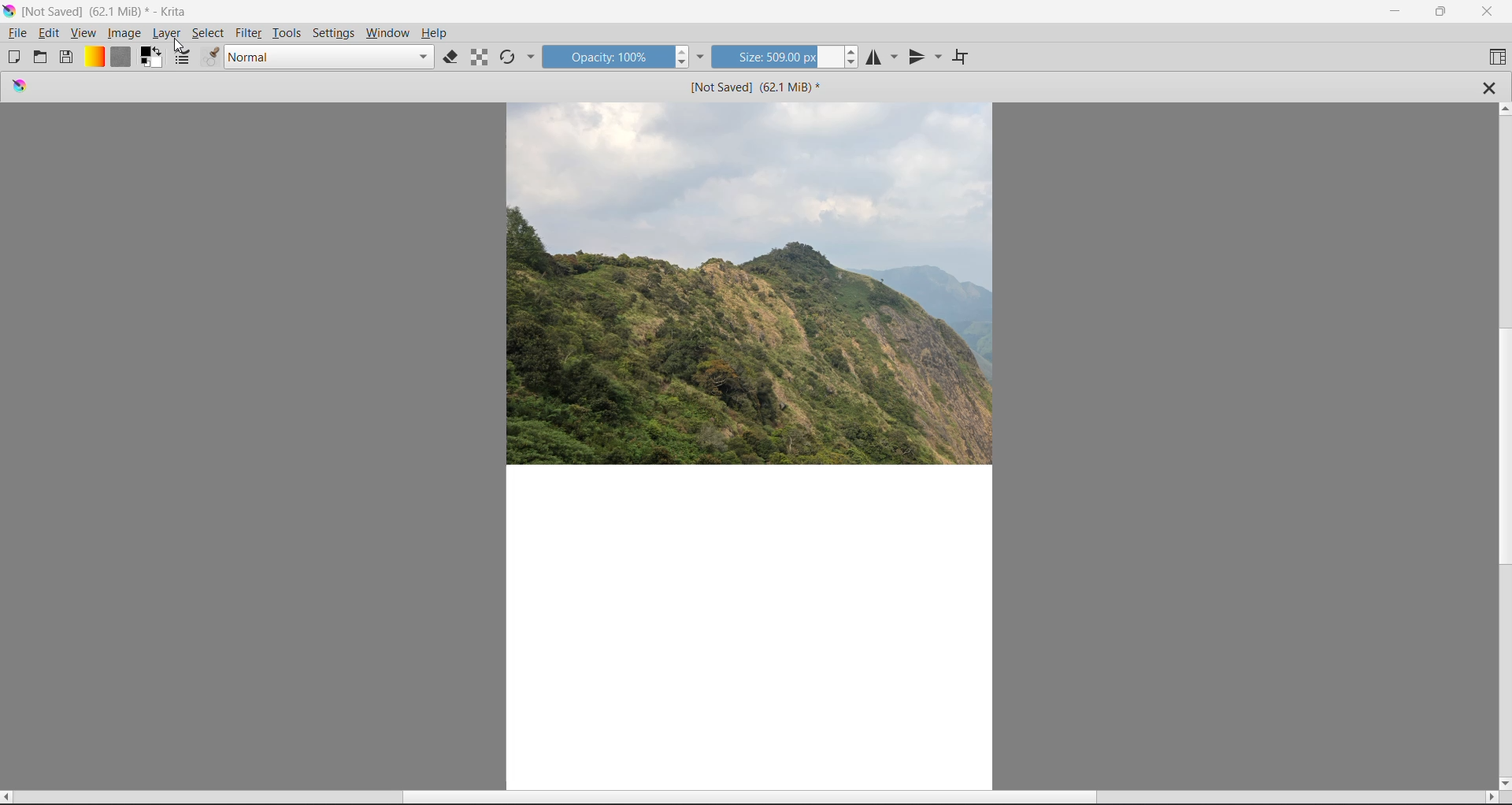 This screenshot has height=805, width=1512. I want to click on Choose brush presets, so click(210, 58).